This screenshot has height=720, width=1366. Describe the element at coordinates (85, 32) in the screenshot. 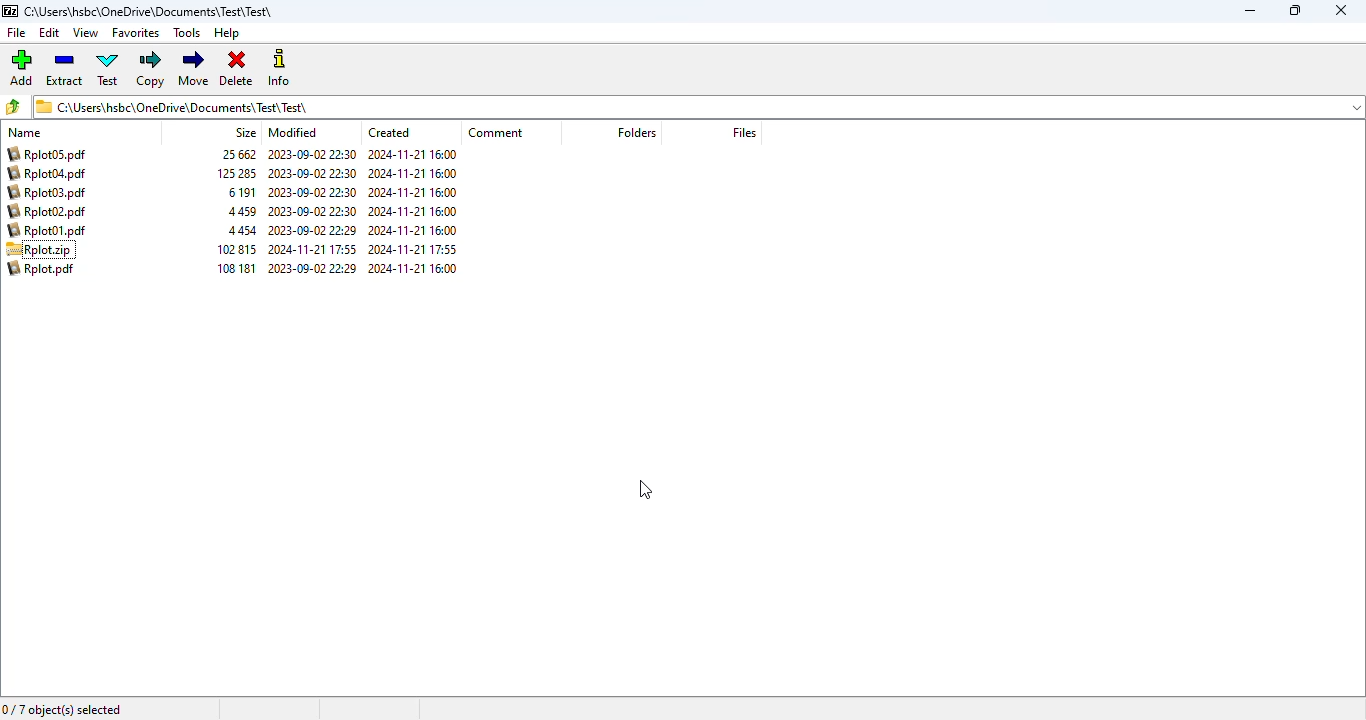

I see `view` at that location.